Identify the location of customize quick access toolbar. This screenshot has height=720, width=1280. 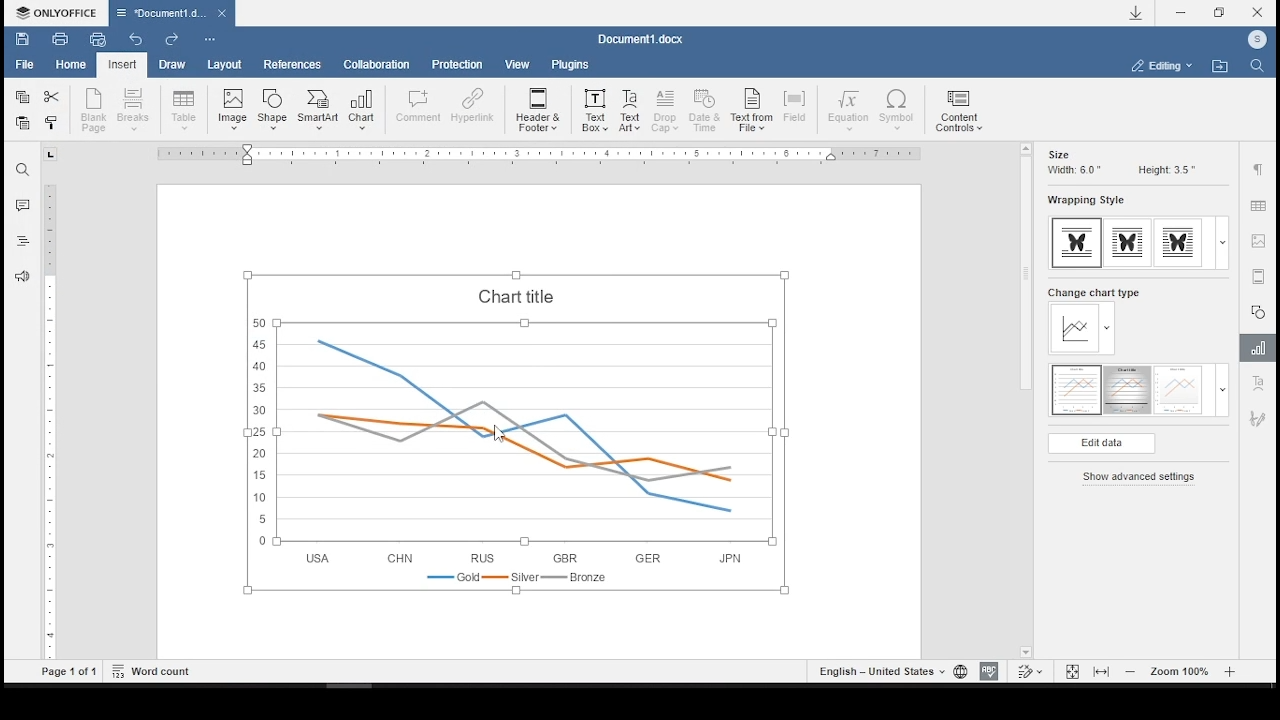
(211, 40).